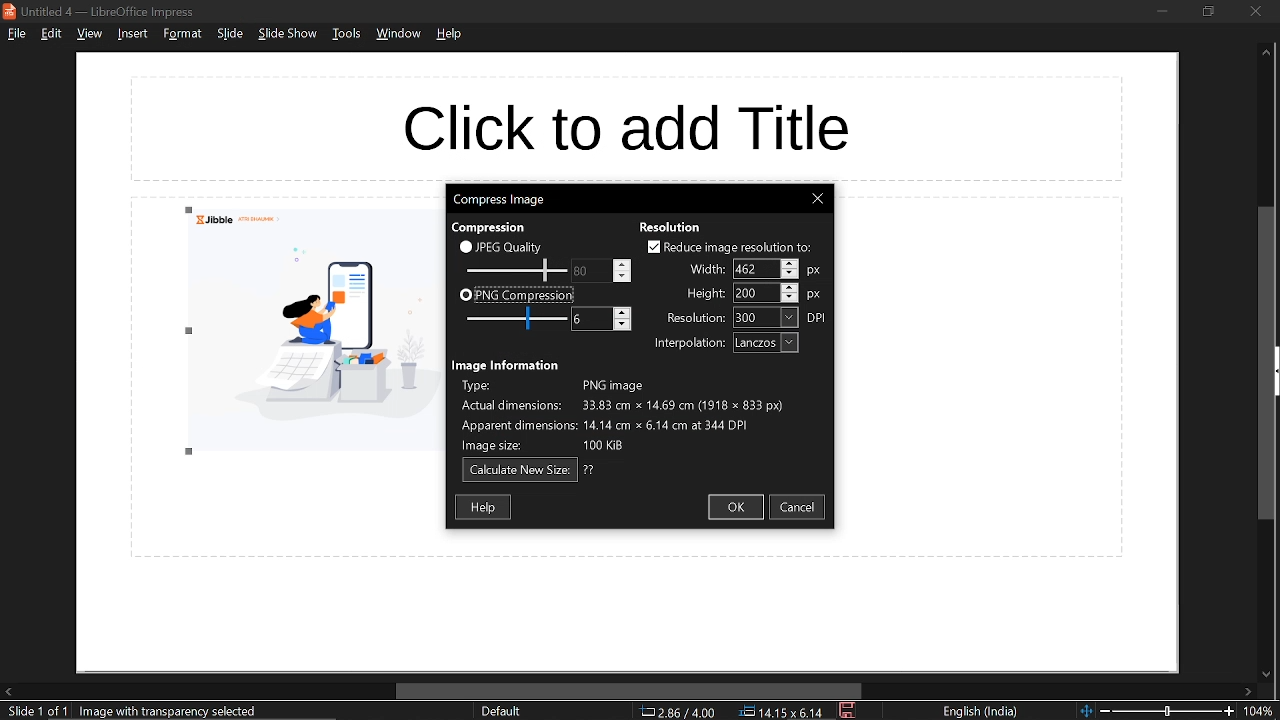  I want to click on move right, so click(1248, 693).